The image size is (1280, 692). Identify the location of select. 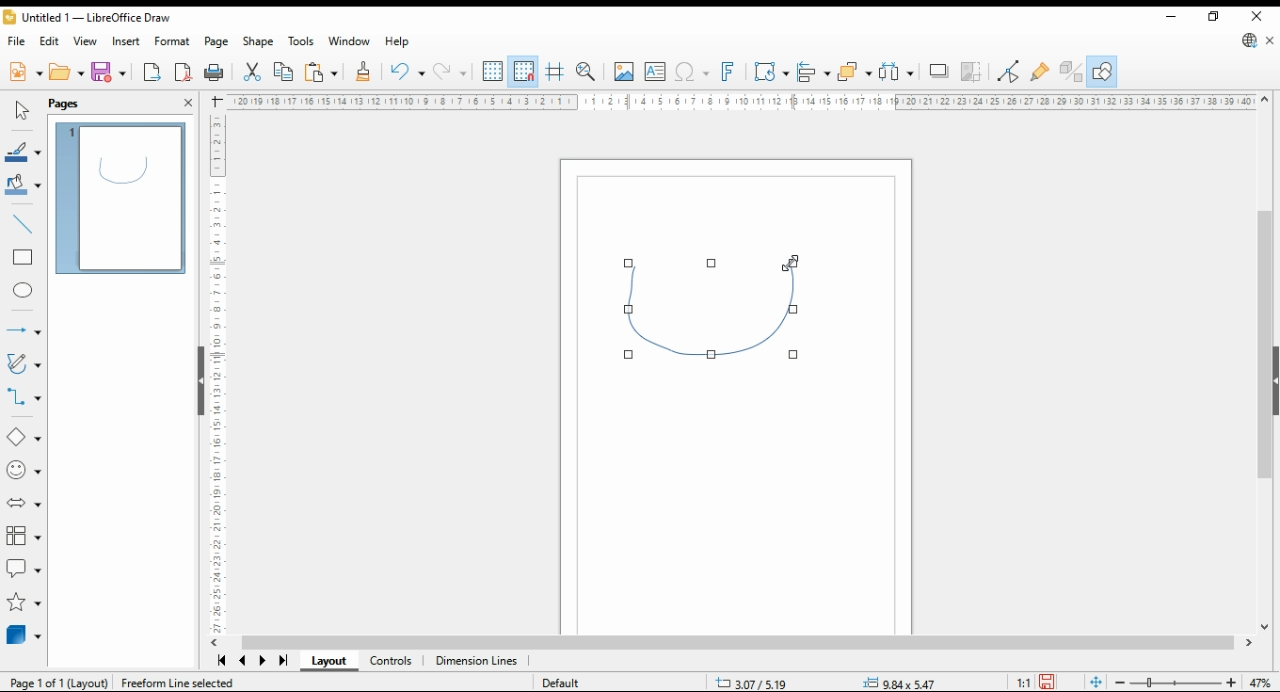
(21, 108).